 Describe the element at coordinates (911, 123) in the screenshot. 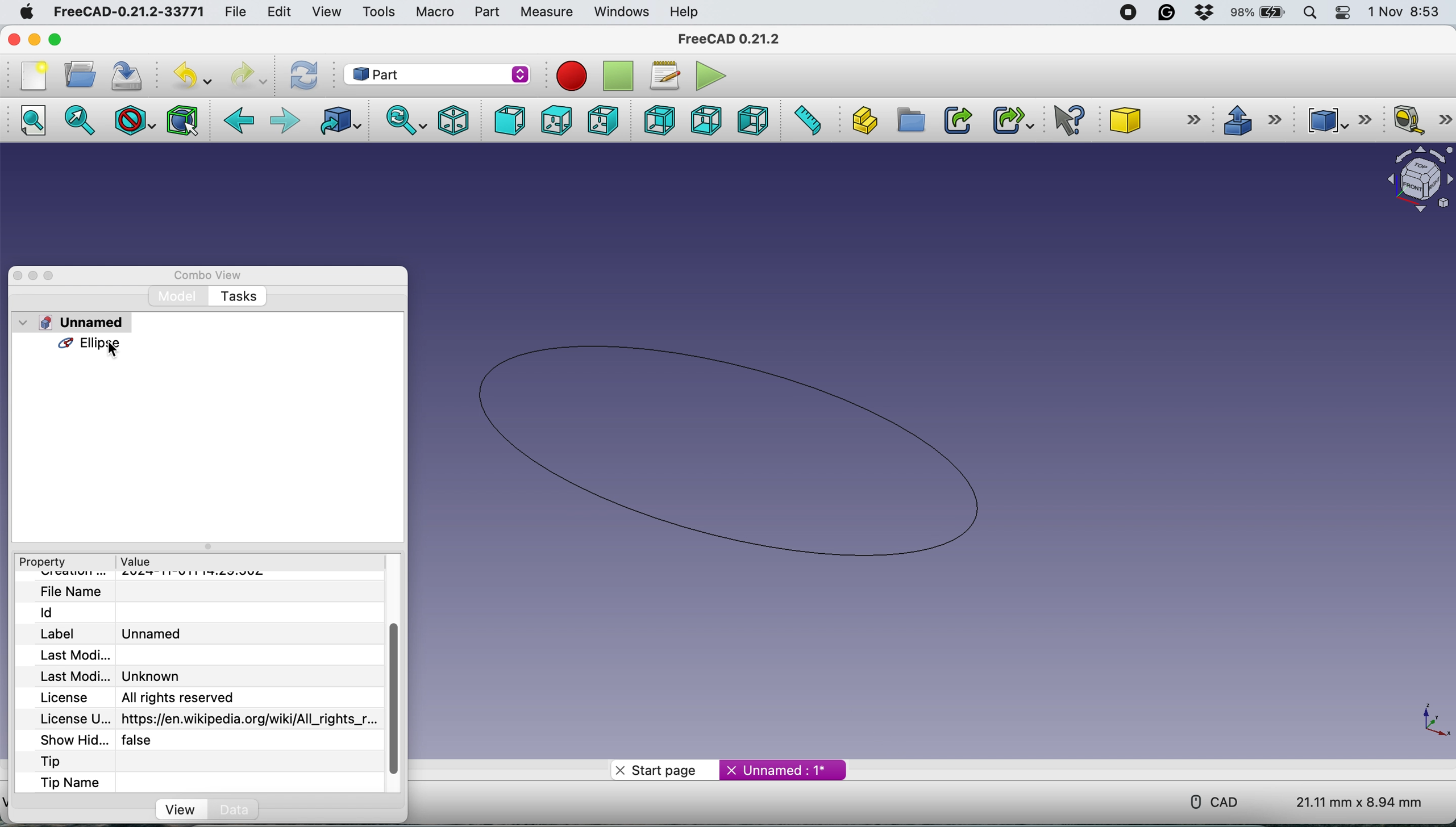

I see `create group` at that location.